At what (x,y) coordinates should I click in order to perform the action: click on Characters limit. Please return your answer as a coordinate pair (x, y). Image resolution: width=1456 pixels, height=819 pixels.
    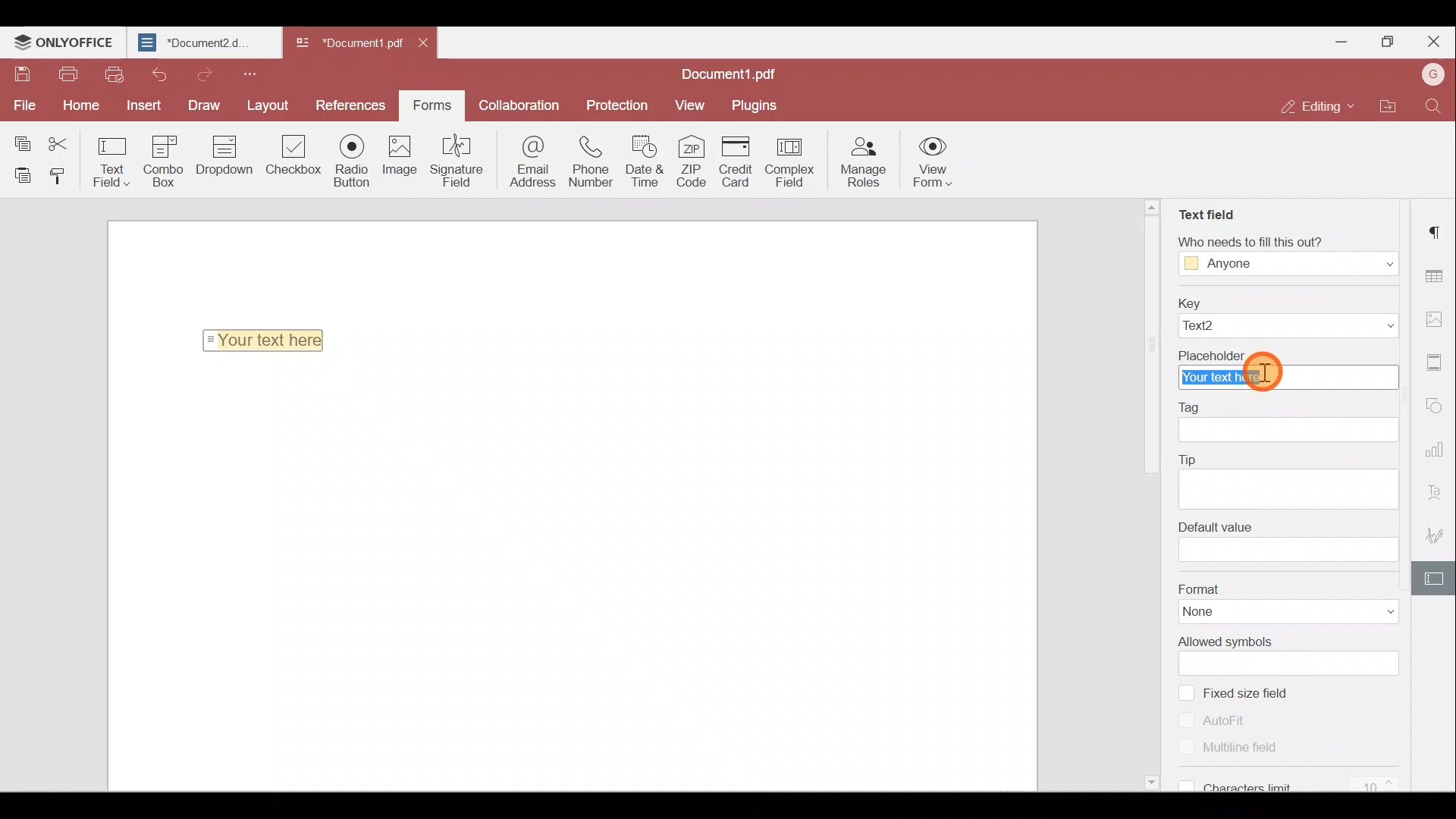
    Looking at the image, I should click on (1301, 786).